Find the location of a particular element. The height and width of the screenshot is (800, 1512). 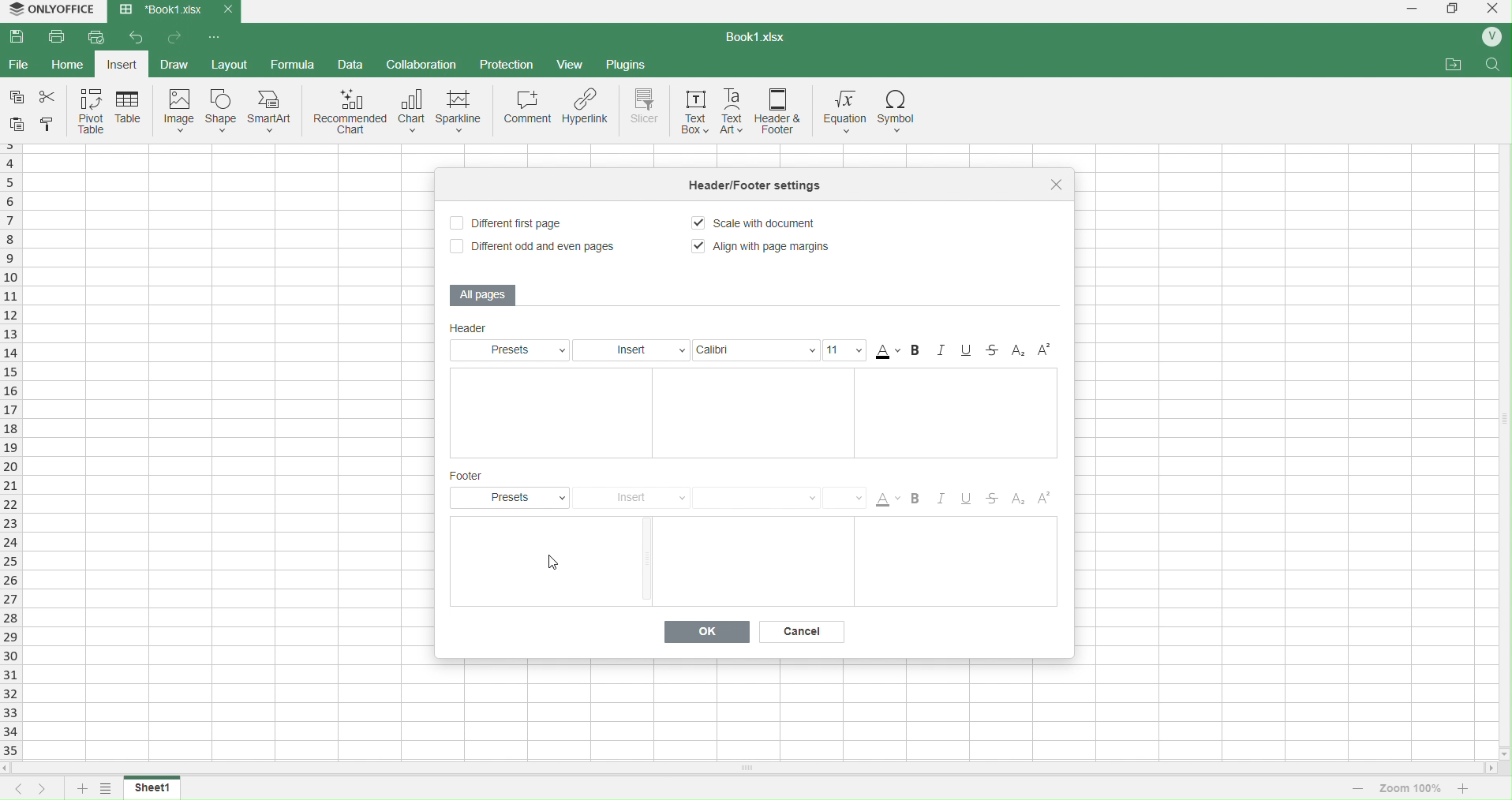

Text Boxes is located at coordinates (754, 413).